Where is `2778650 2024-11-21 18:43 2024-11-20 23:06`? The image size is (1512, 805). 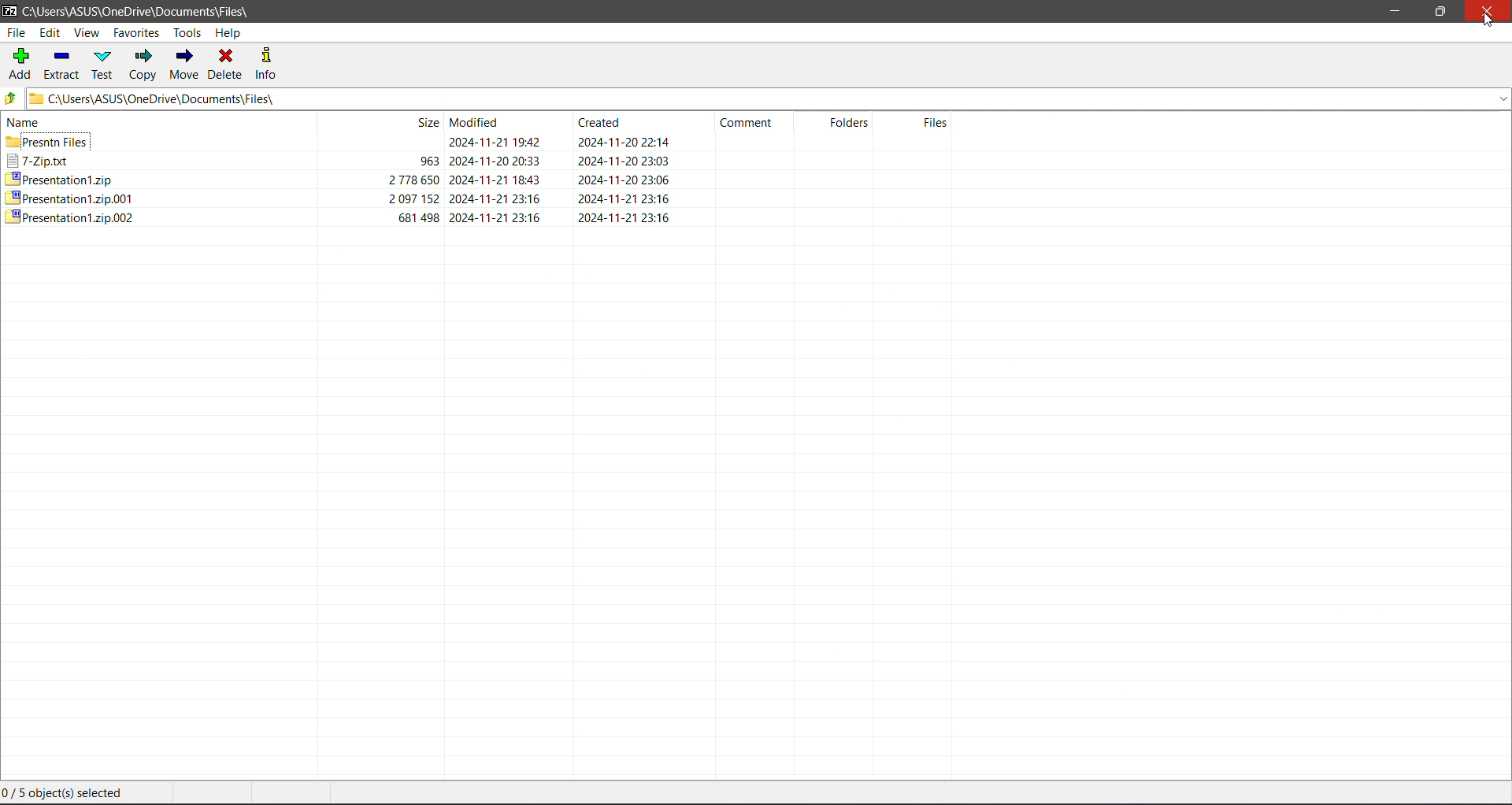
2778650 2024-11-21 18:43 2024-11-20 23:06 is located at coordinates (545, 180).